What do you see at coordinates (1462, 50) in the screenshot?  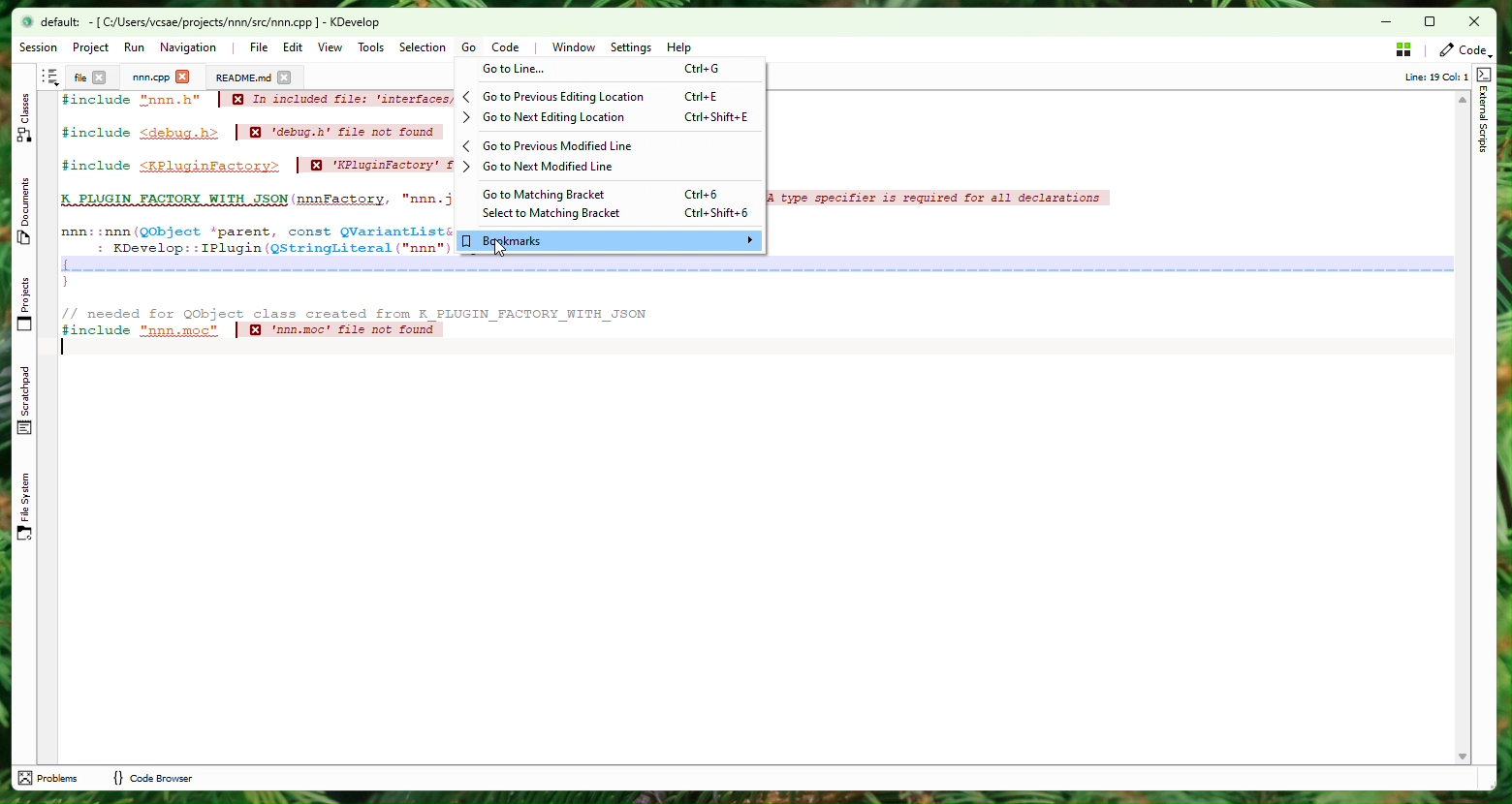 I see `Code` at bounding box center [1462, 50].